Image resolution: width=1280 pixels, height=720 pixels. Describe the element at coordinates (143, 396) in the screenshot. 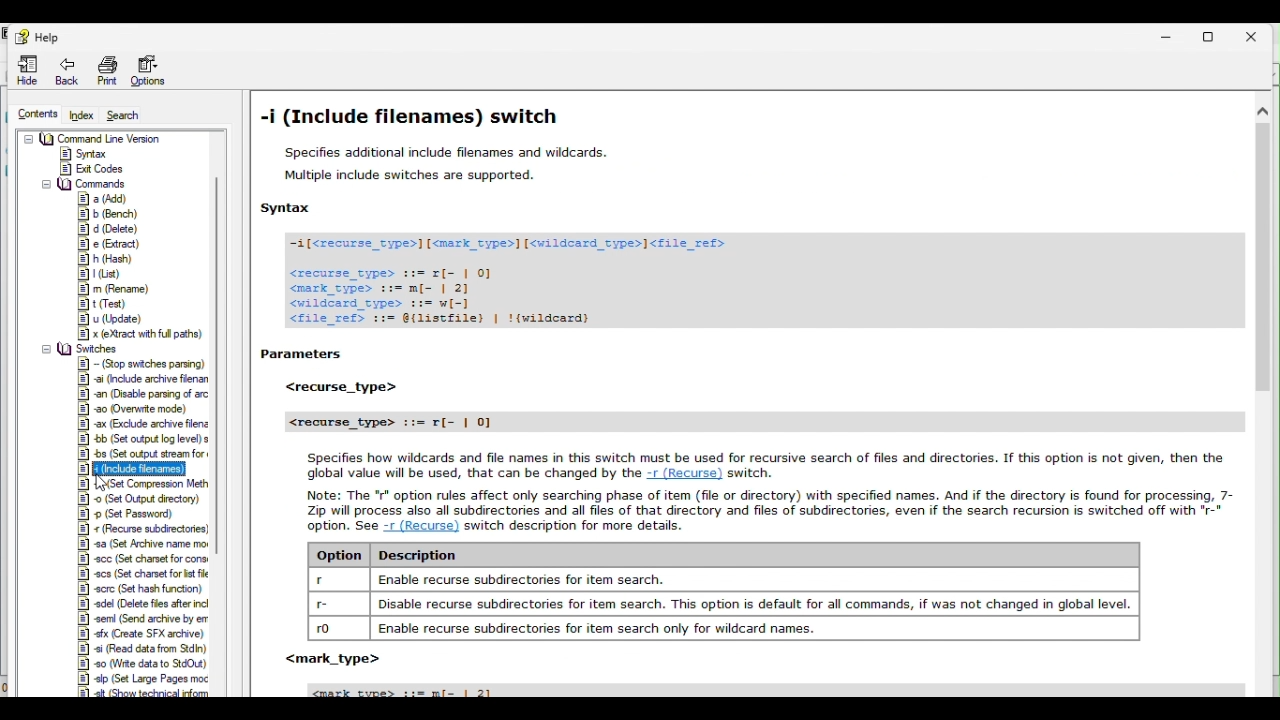

I see `Disable parsing` at that location.